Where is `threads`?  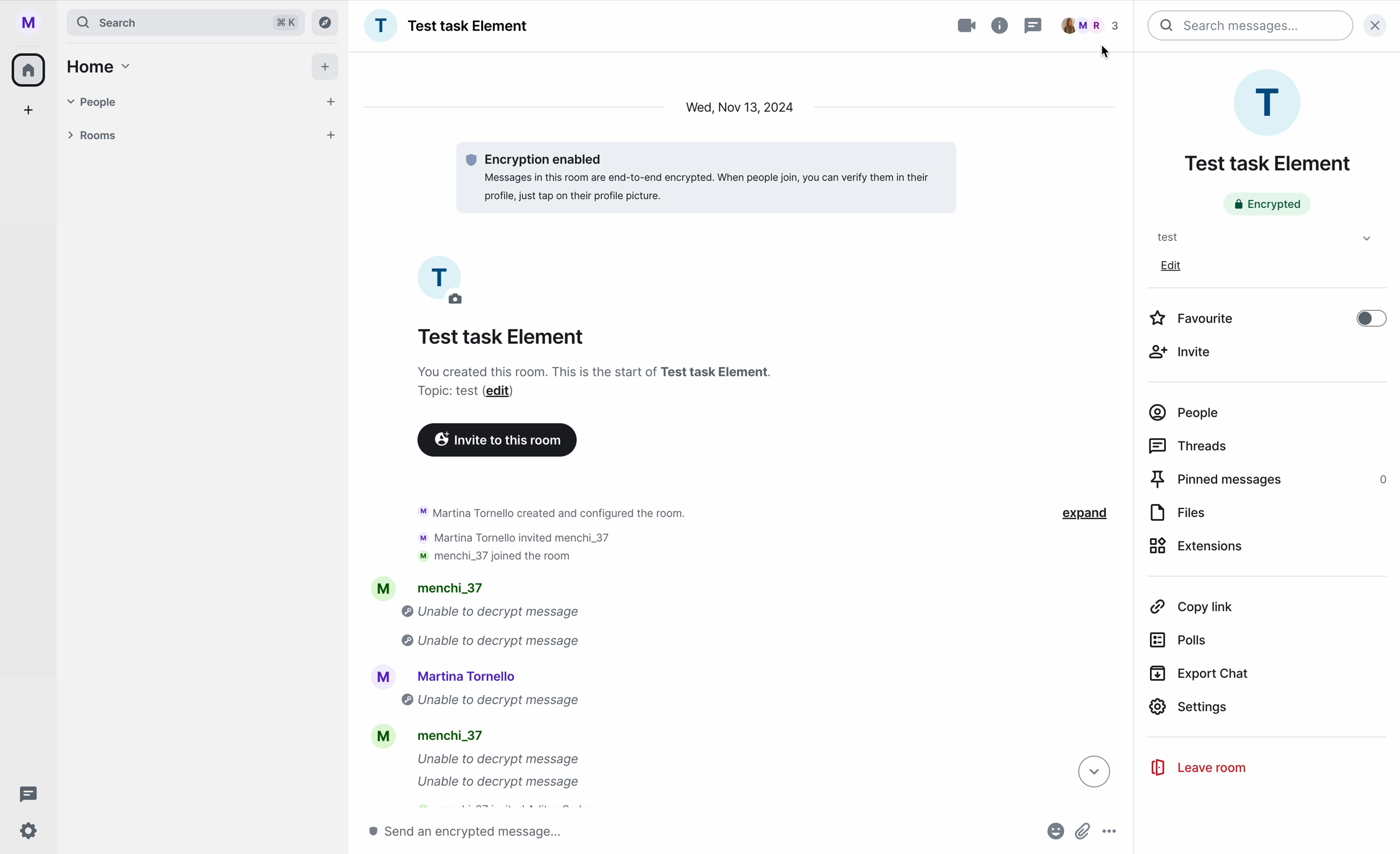 threads is located at coordinates (25, 793).